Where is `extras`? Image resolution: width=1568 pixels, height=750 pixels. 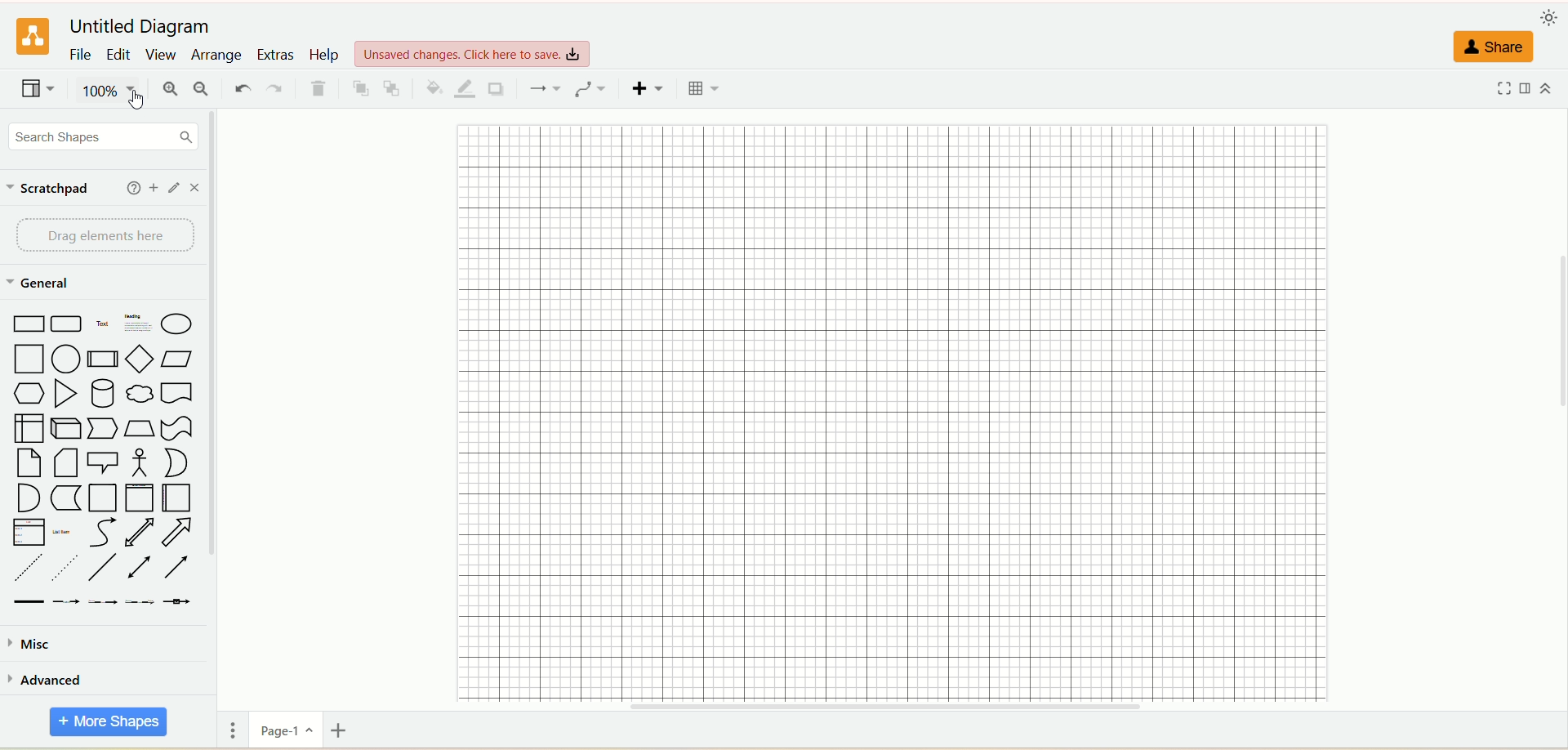
extras is located at coordinates (275, 54).